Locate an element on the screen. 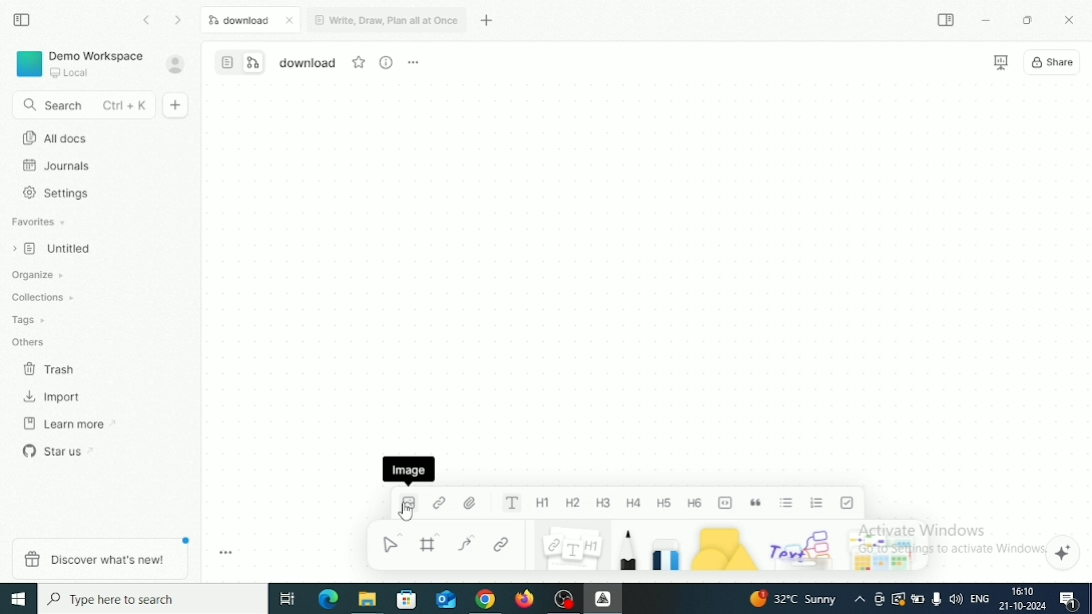 The height and width of the screenshot is (614, 1092). Untitled is located at coordinates (53, 249).